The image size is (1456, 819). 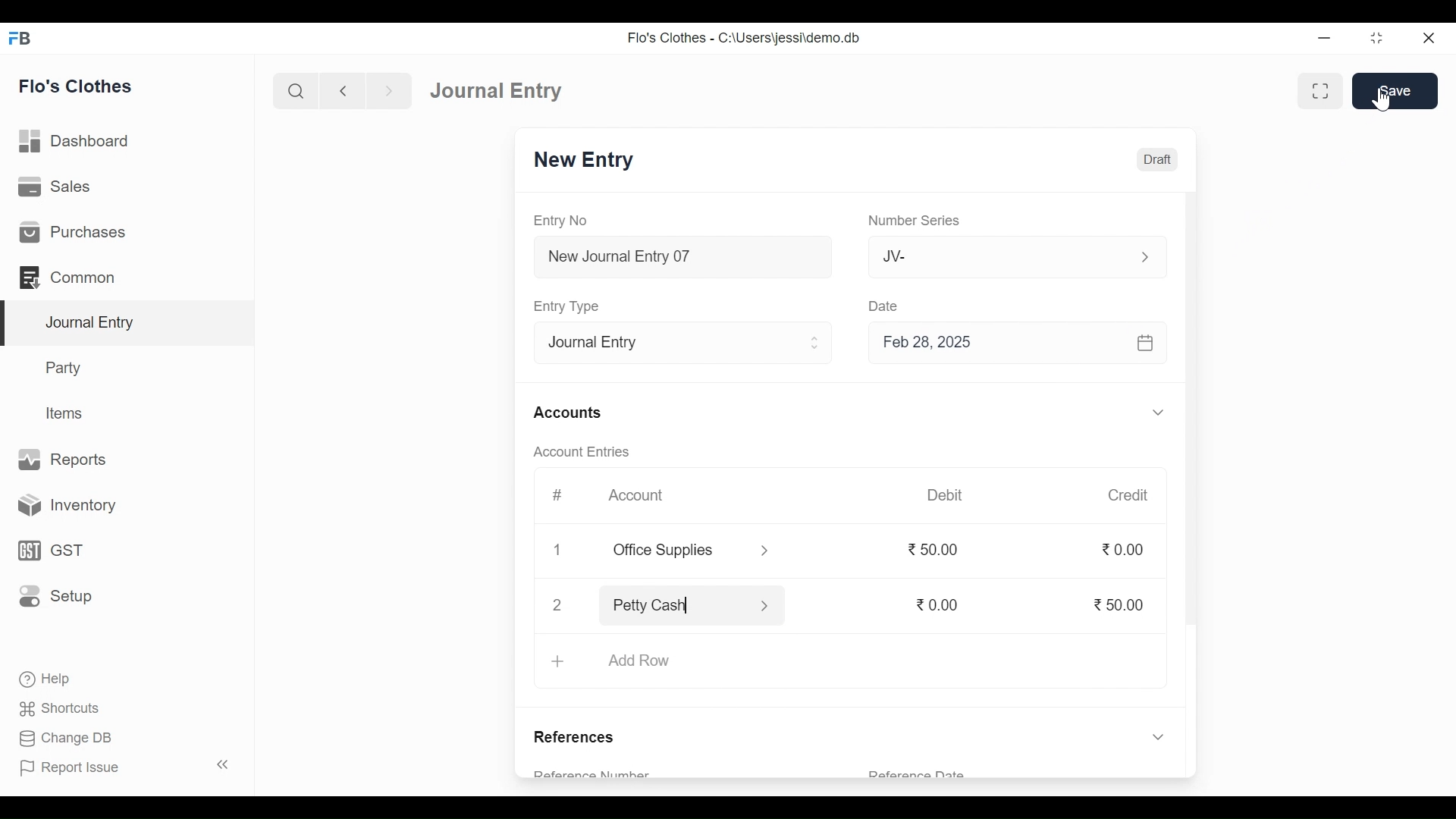 I want to click on Journal Entry, so click(x=130, y=324).